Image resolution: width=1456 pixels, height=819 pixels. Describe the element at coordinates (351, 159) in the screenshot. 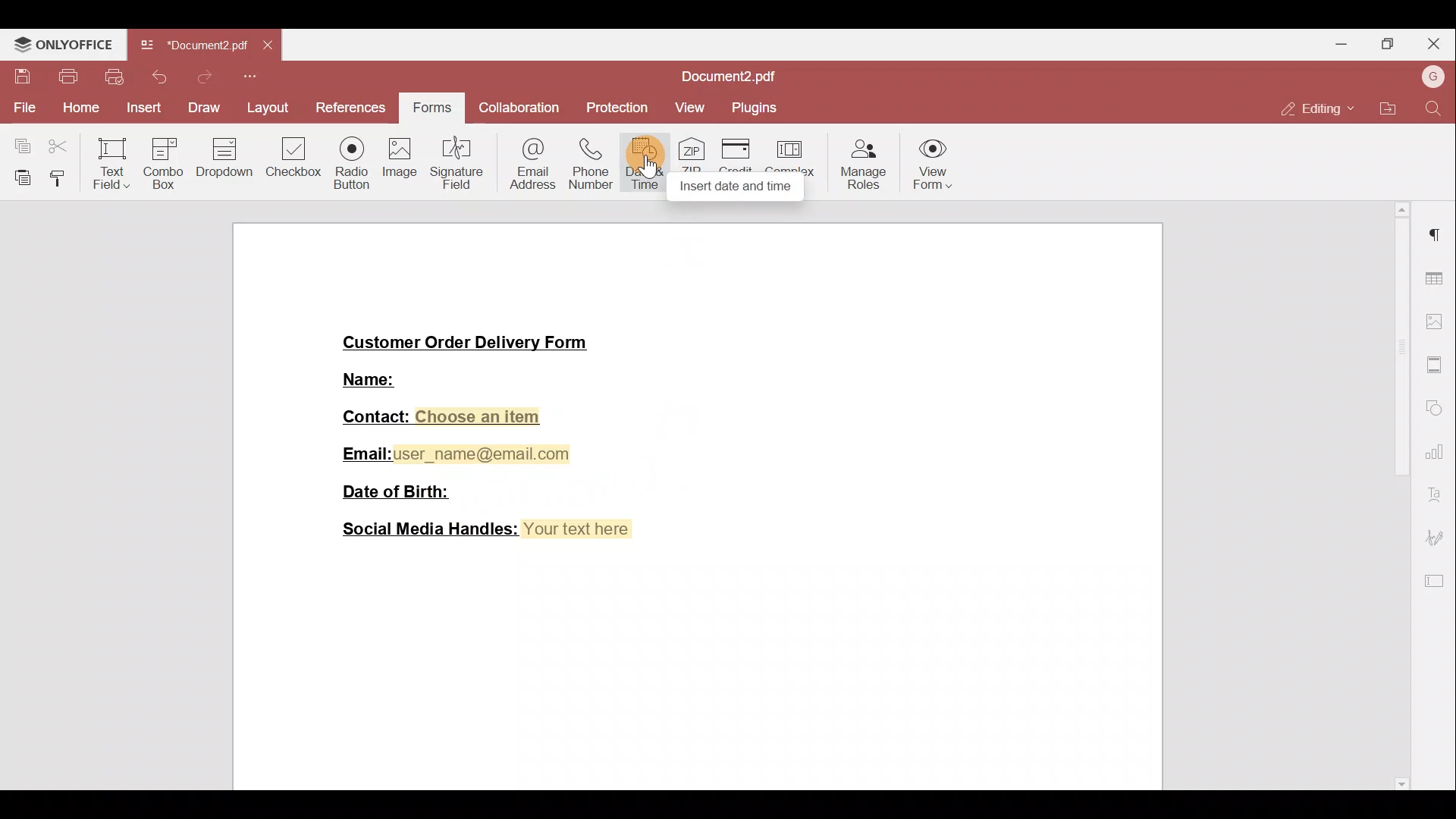

I see `Radio button` at that location.